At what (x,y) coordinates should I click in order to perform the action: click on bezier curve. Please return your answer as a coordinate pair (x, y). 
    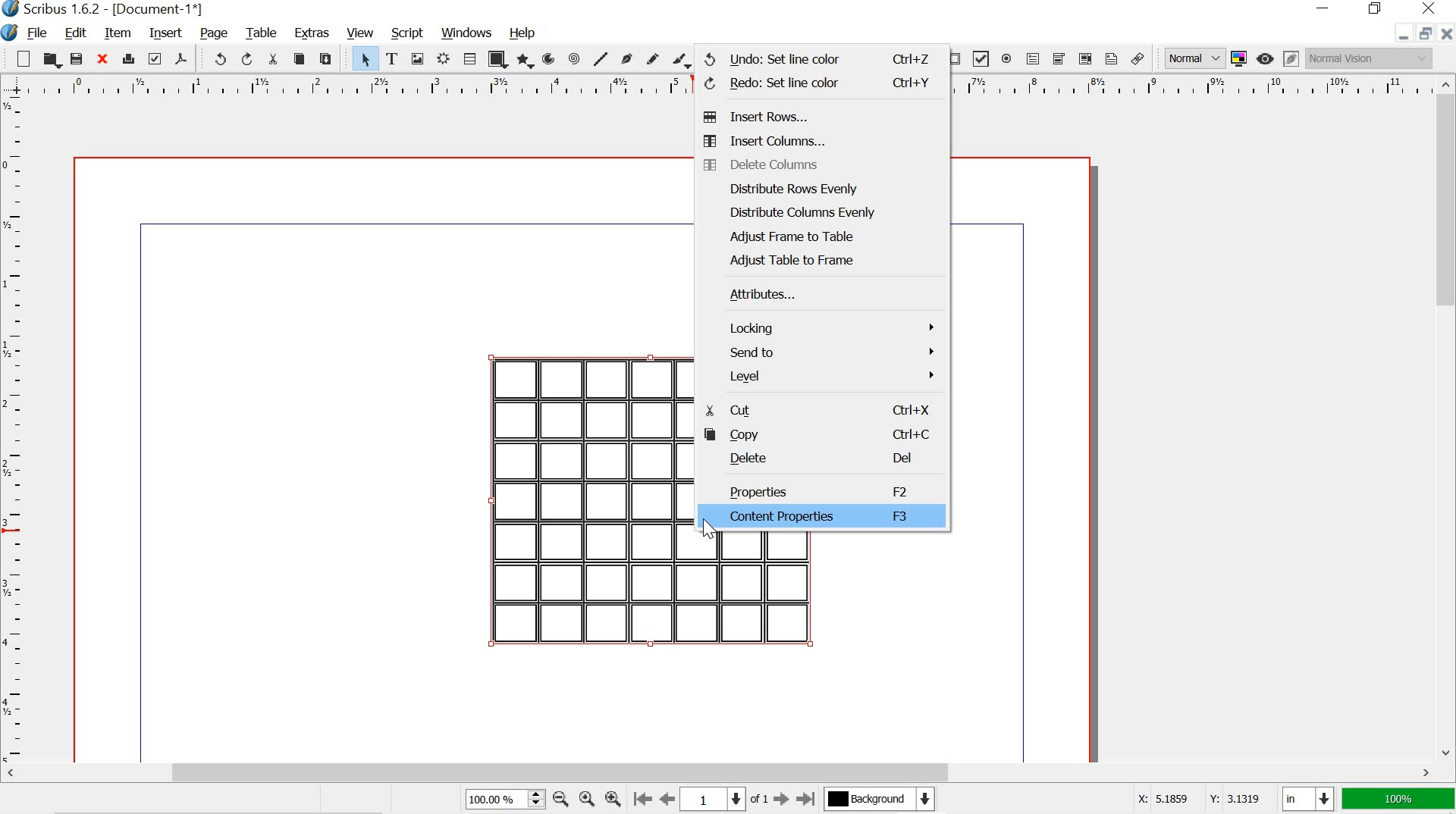
    Looking at the image, I should click on (626, 59).